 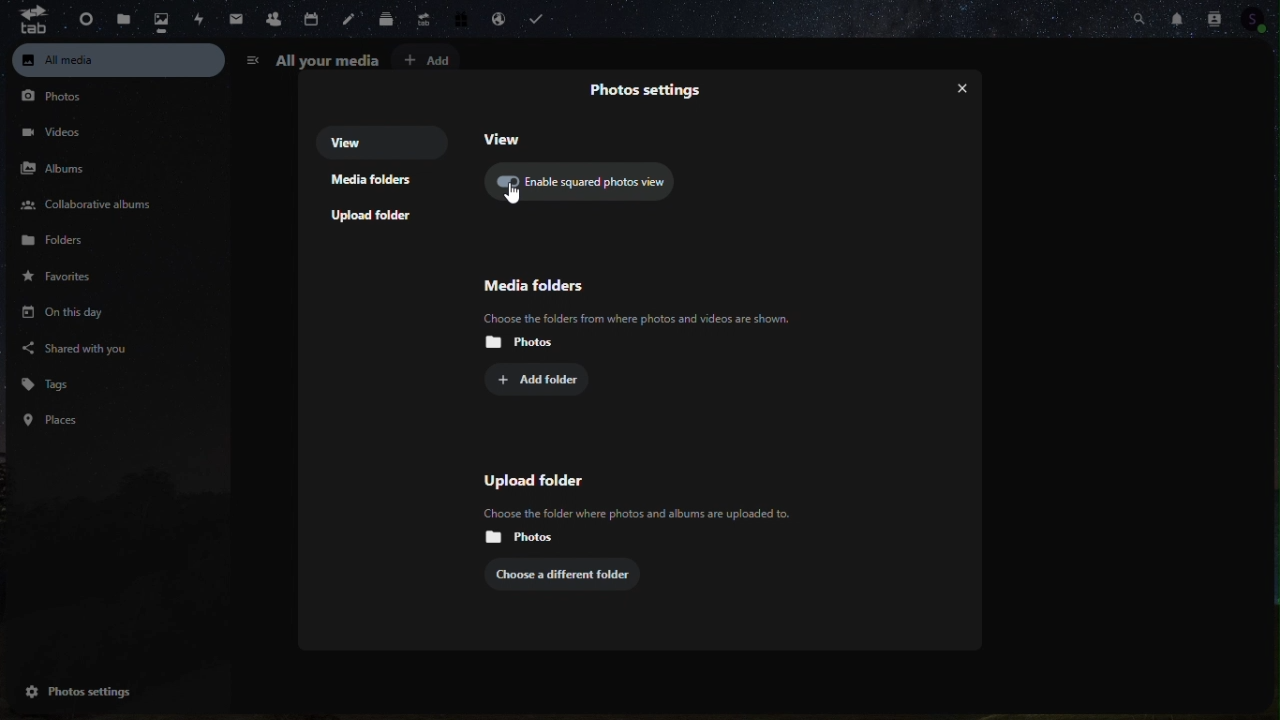 What do you see at coordinates (589, 185) in the screenshot?
I see `Enable squared photo view` at bounding box center [589, 185].